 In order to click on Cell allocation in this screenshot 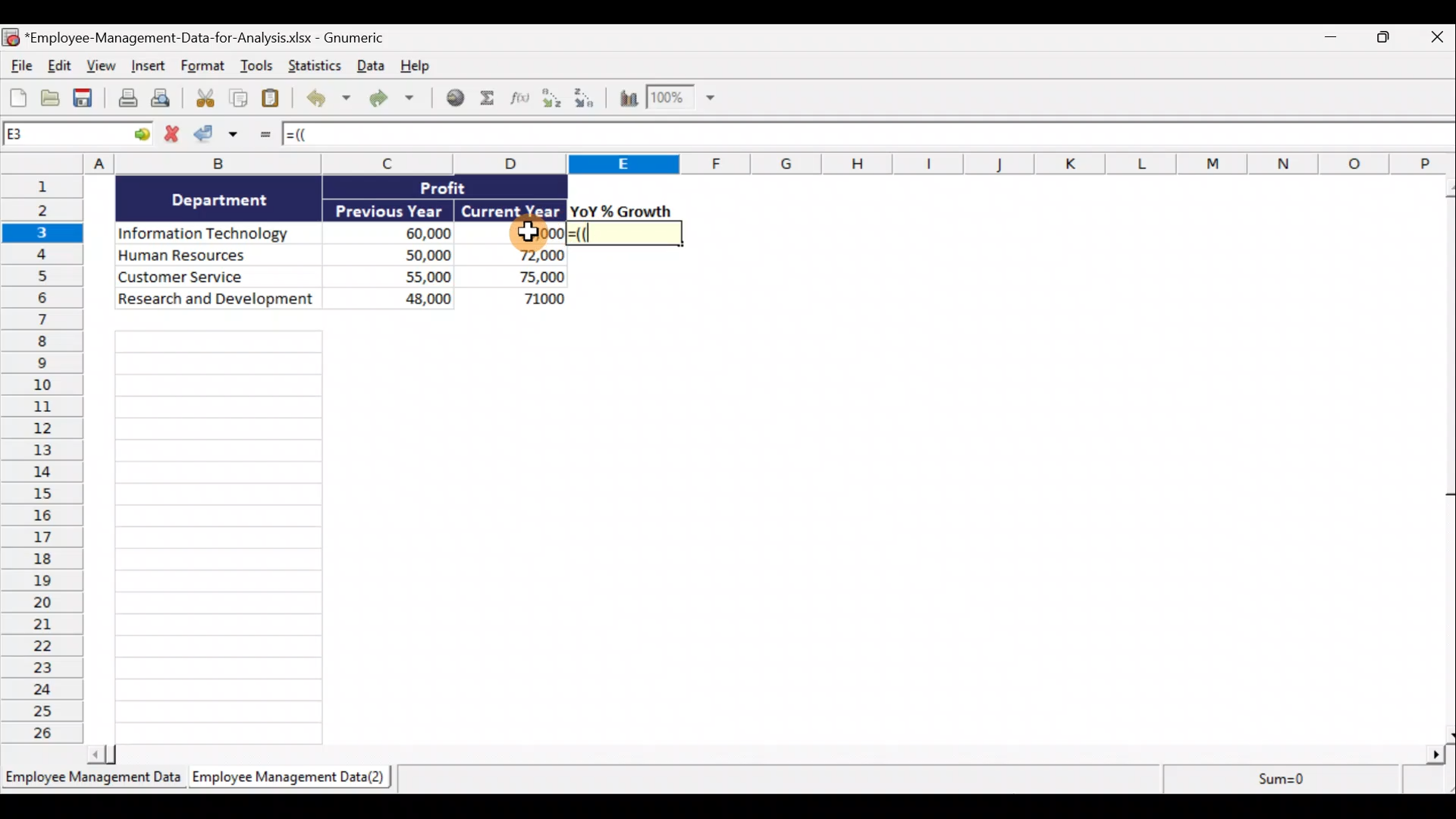, I will do `click(79, 136)`.